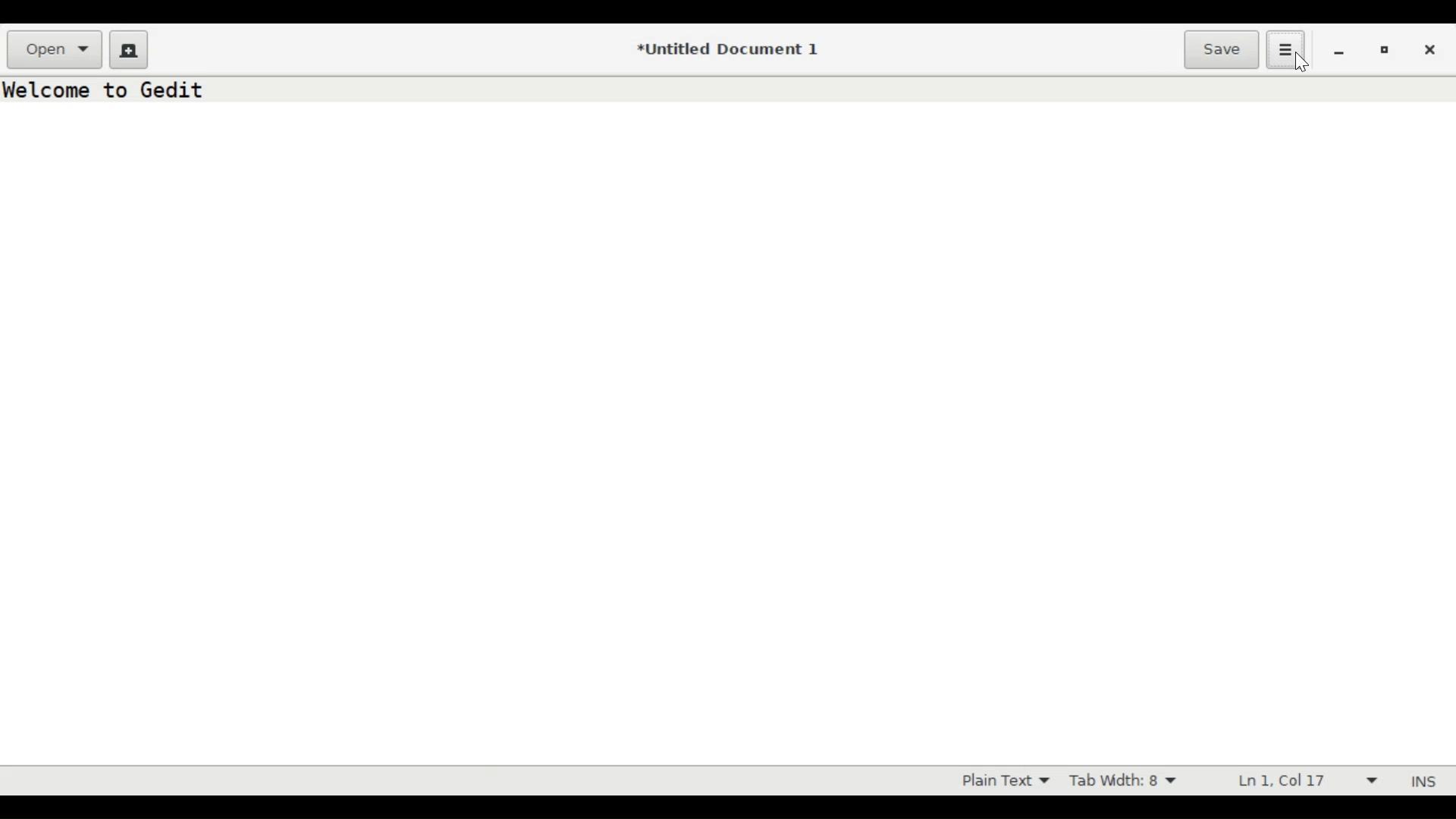  I want to click on Save, so click(1221, 50).